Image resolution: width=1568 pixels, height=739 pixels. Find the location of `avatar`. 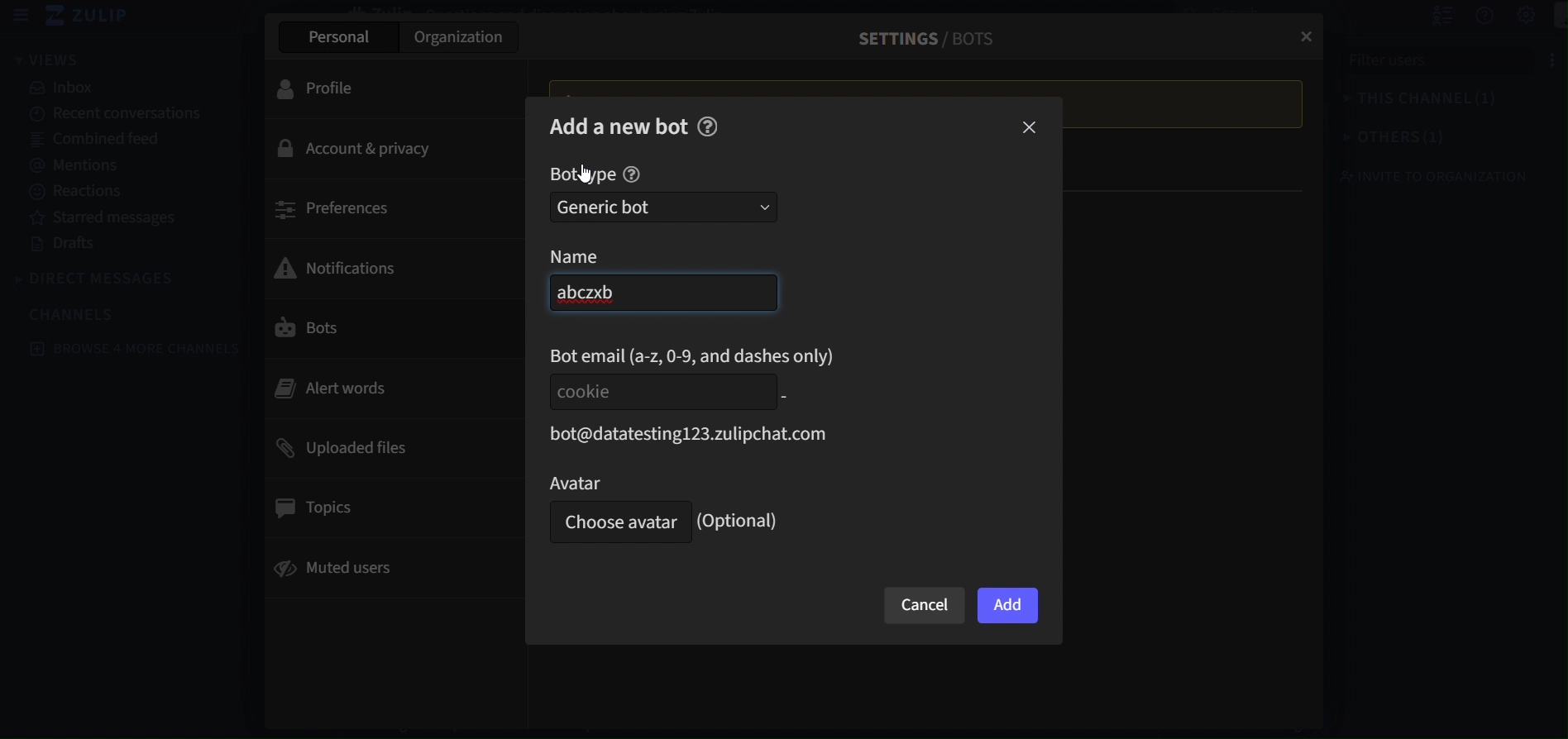

avatar is located at coordinates (614, 482).